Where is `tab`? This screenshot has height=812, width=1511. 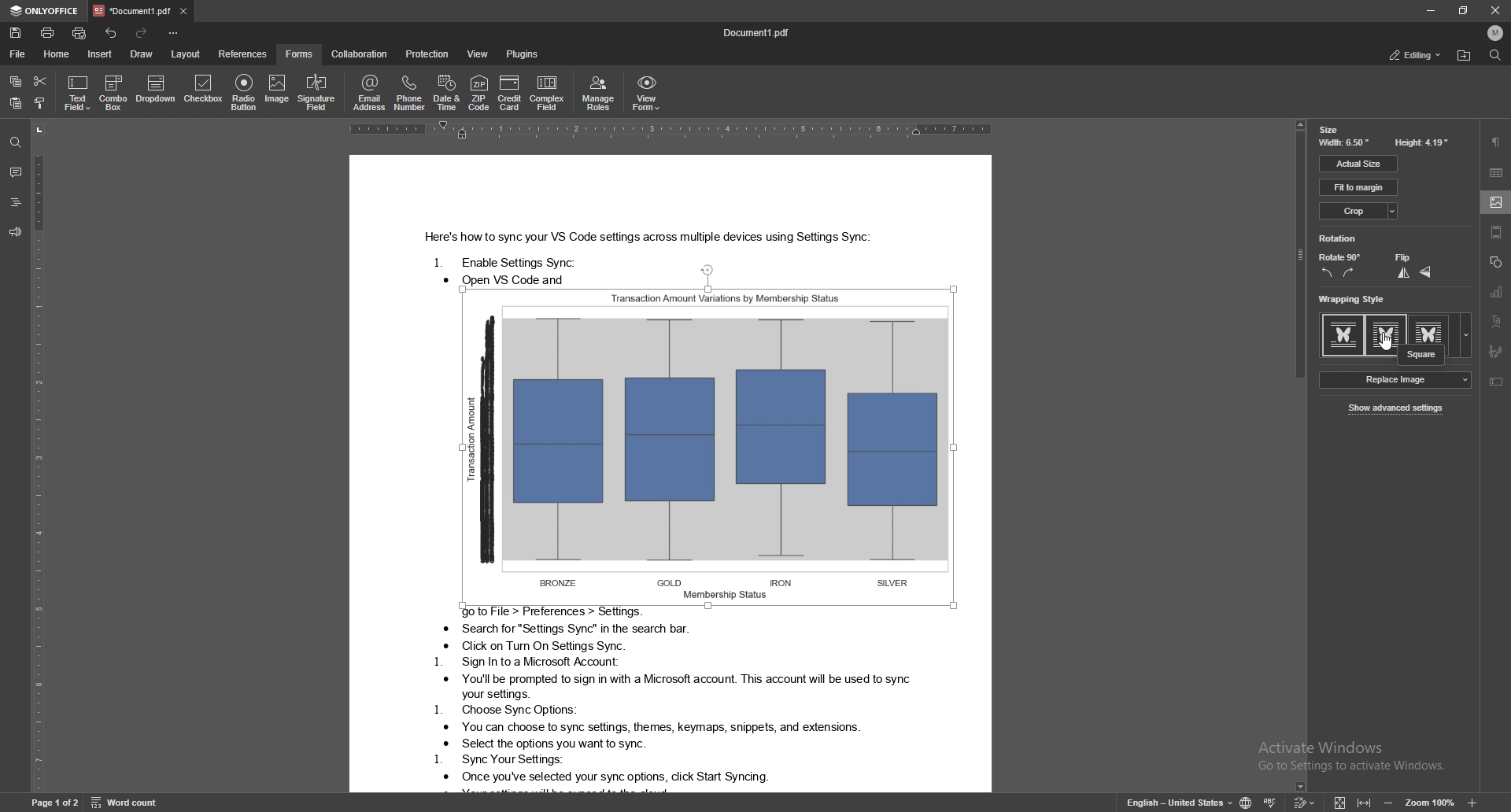 tab is located at coordinates (131, 11).